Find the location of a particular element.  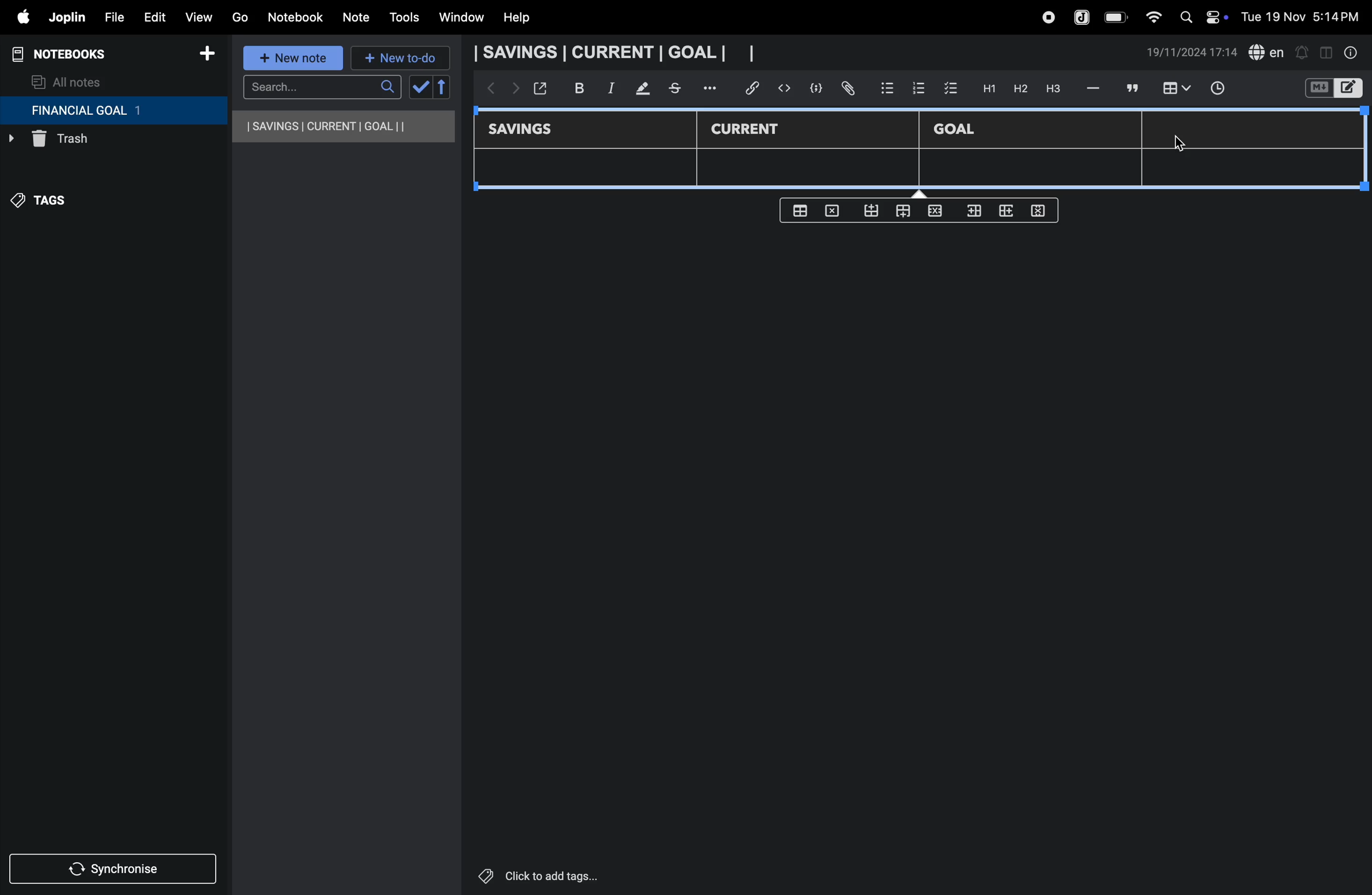

trash is located at coordinates (89, 142).